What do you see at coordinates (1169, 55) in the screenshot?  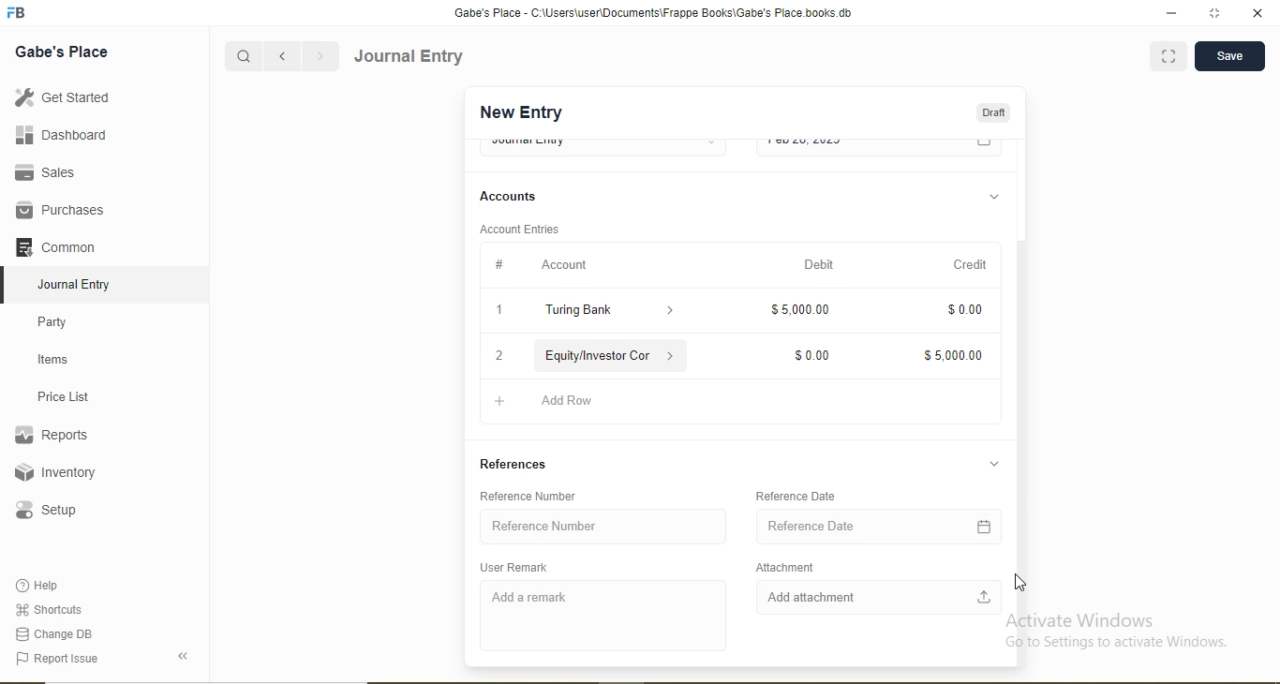 I see `Full screen` at bounding box center [1169, 55].